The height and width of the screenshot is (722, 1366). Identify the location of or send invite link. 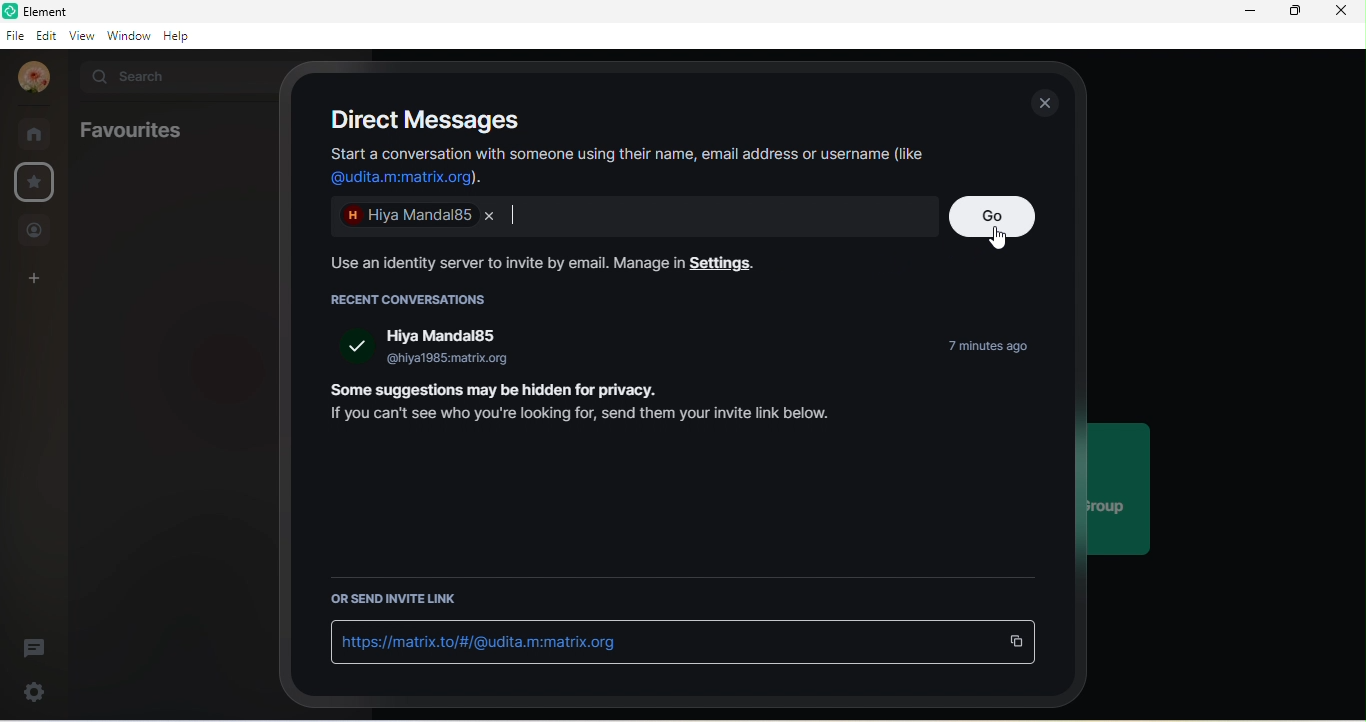
(399, 601).